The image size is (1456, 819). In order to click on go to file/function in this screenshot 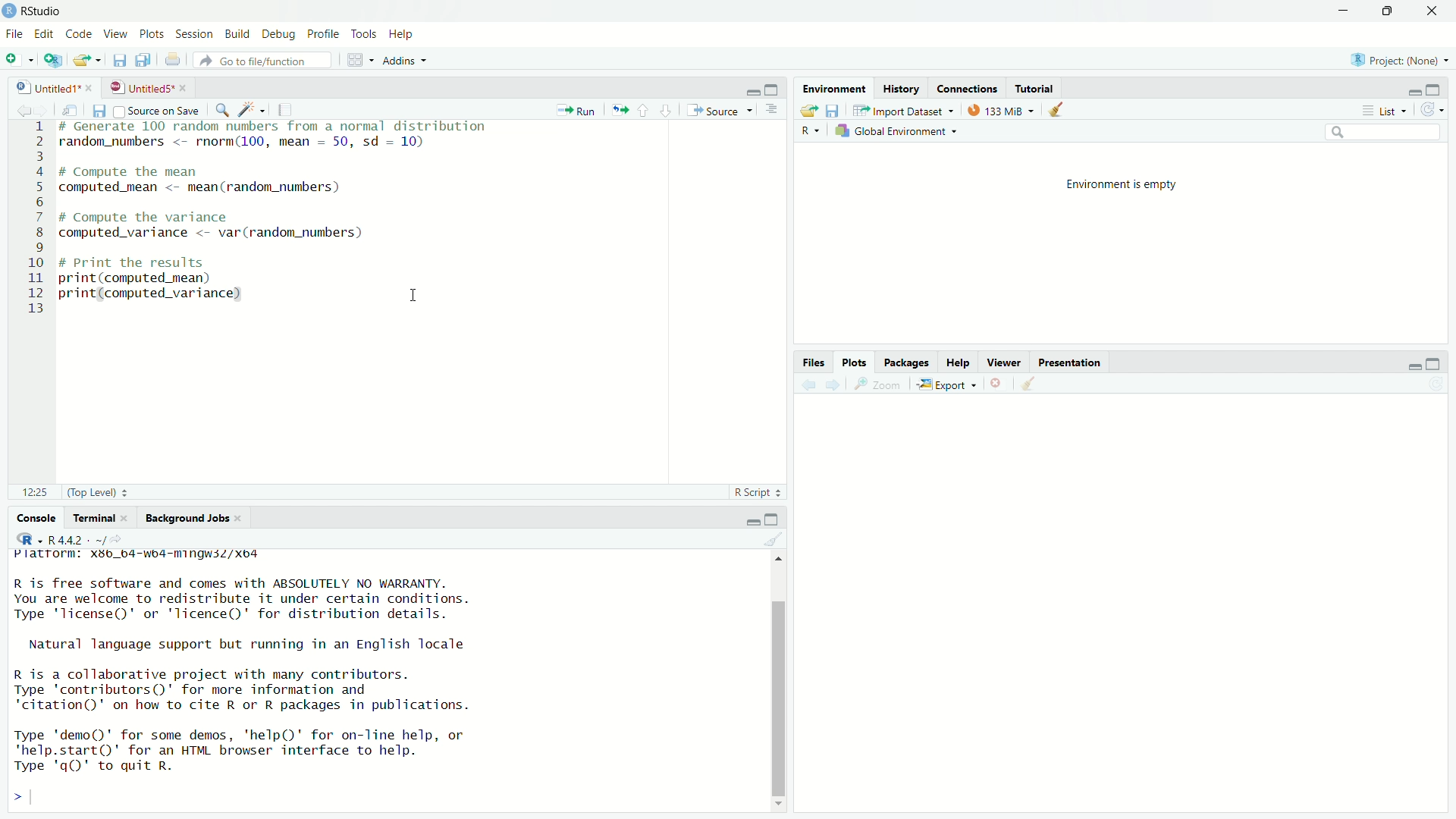, I will do `click(268, 61)`.